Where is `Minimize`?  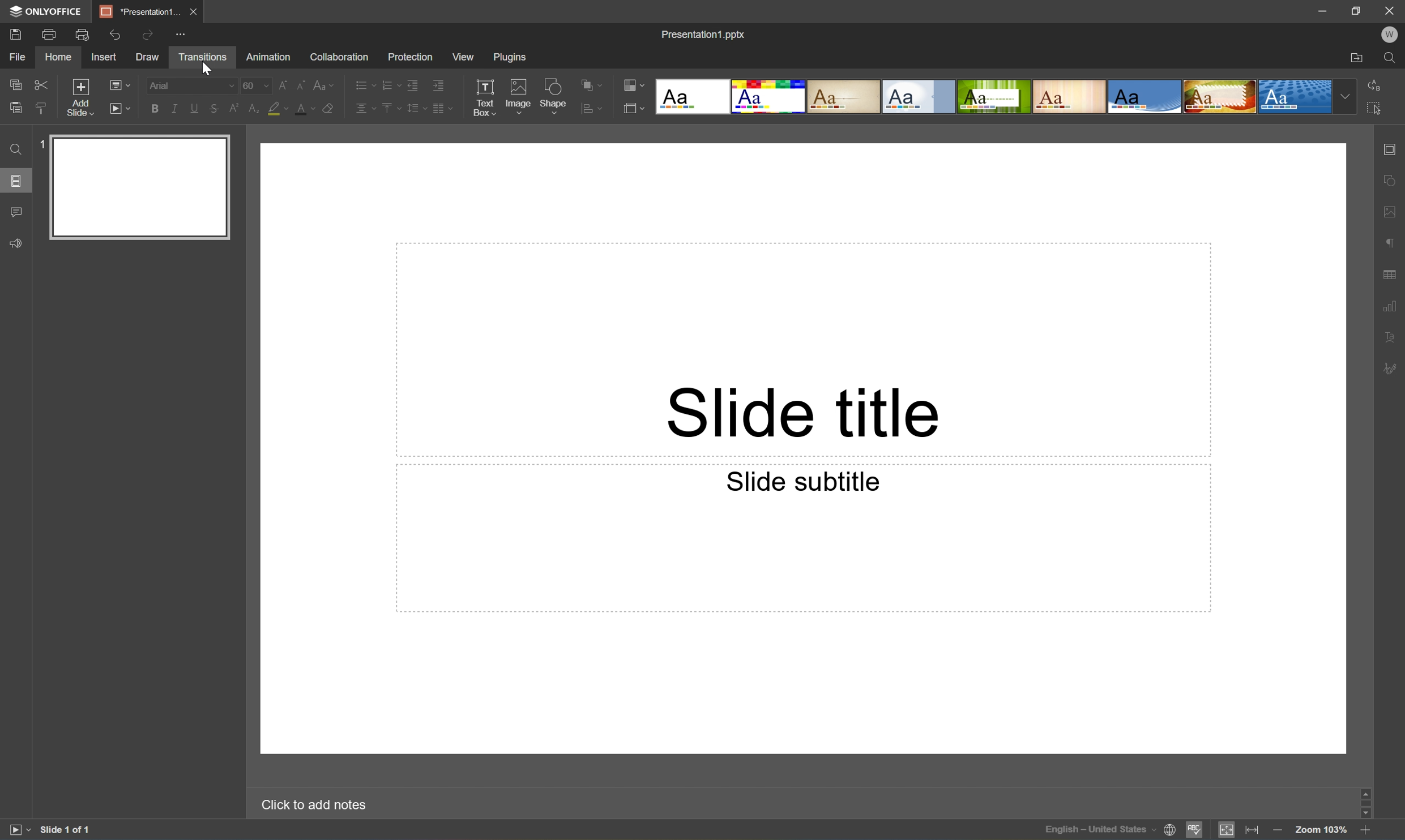
Minimize is located at coordinates (1322, 9).